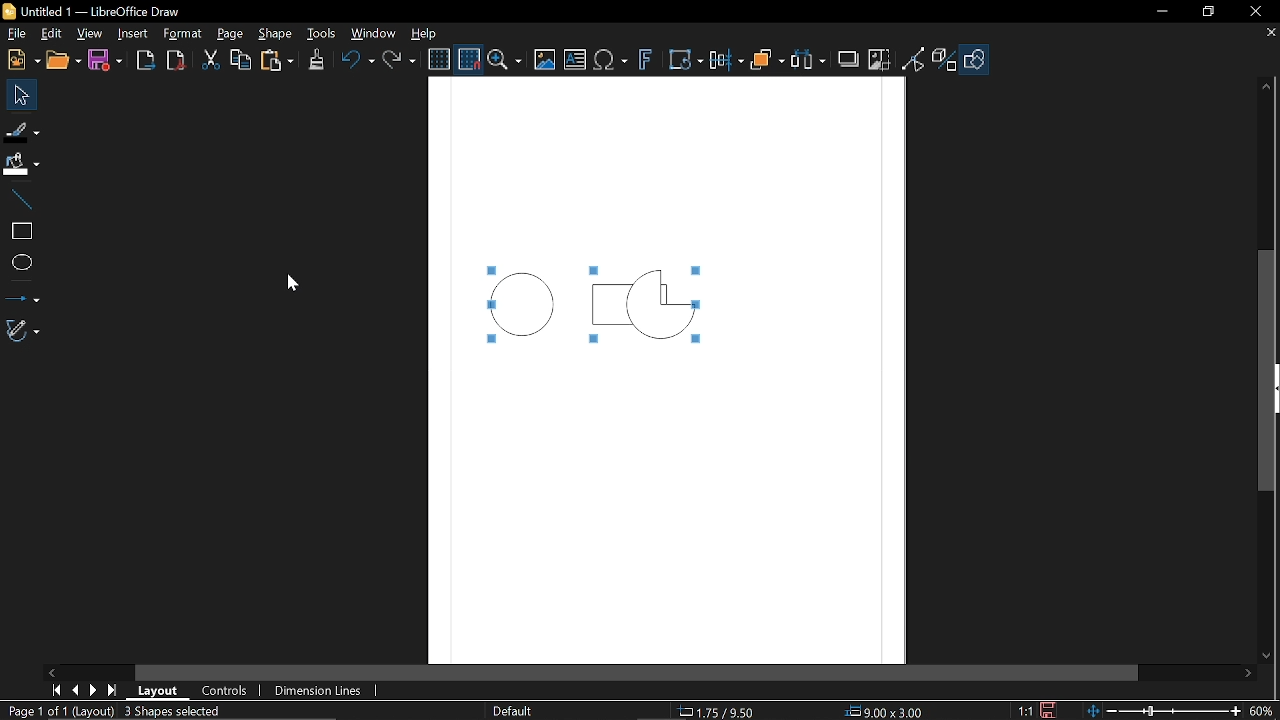 This screenshot has height=720, width=1280. Describe the element at coordinates (400, 61) in the screenshot. I see `Redo` at that location.